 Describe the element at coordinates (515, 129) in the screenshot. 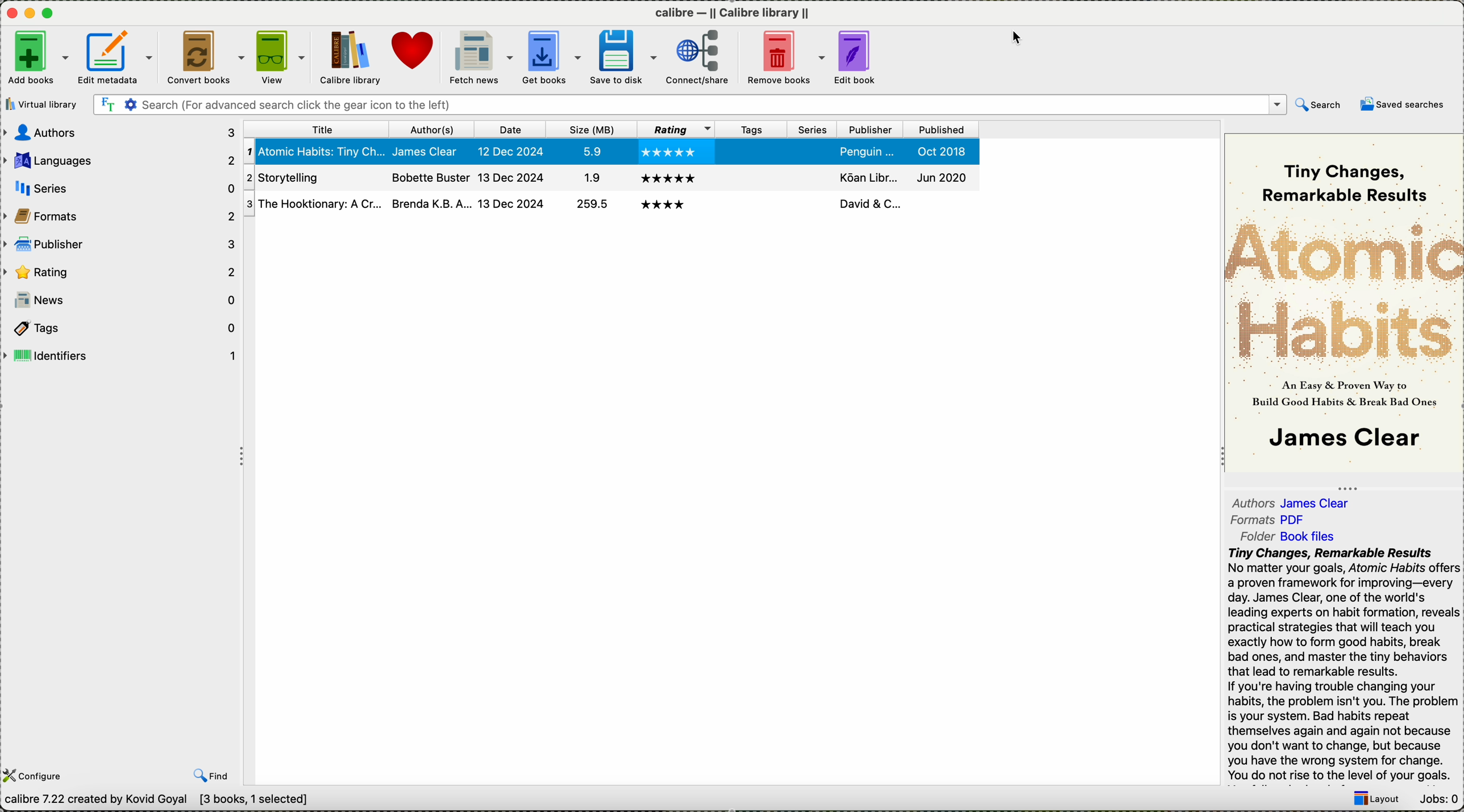

I see `date` at that location.